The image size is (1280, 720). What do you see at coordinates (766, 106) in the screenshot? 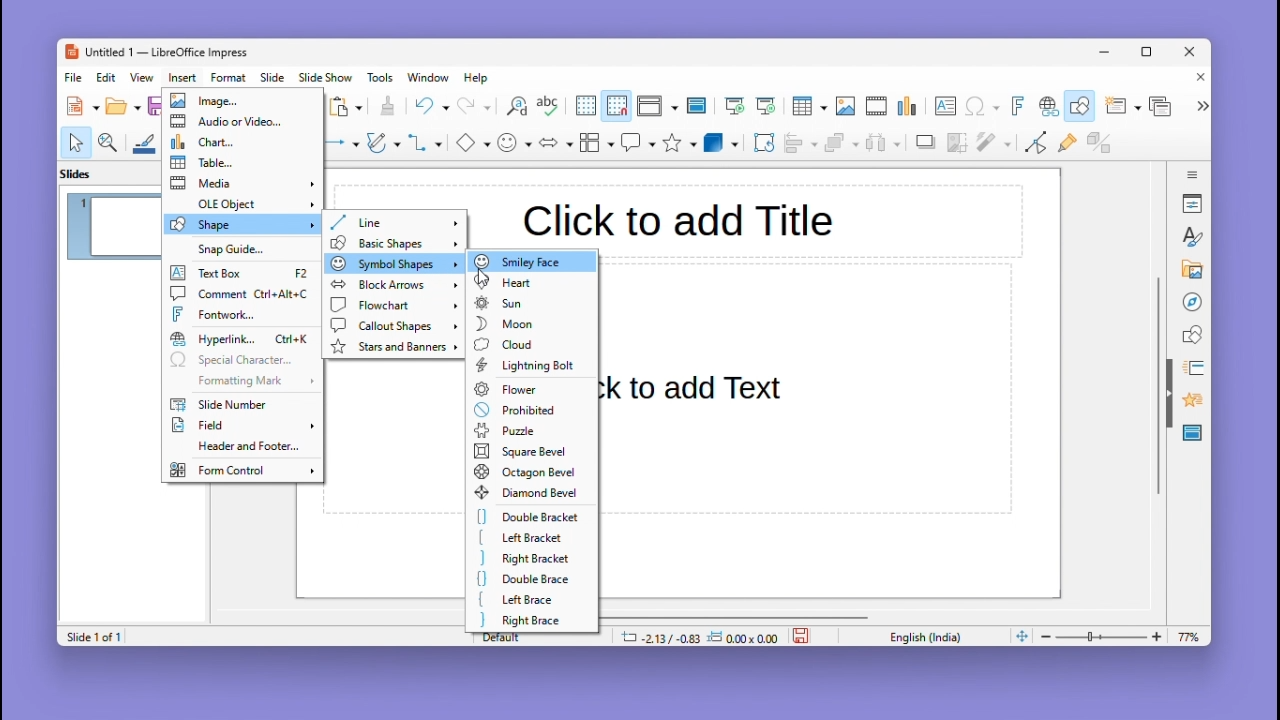
I see `Last slide` at bounding box center [766, 106].